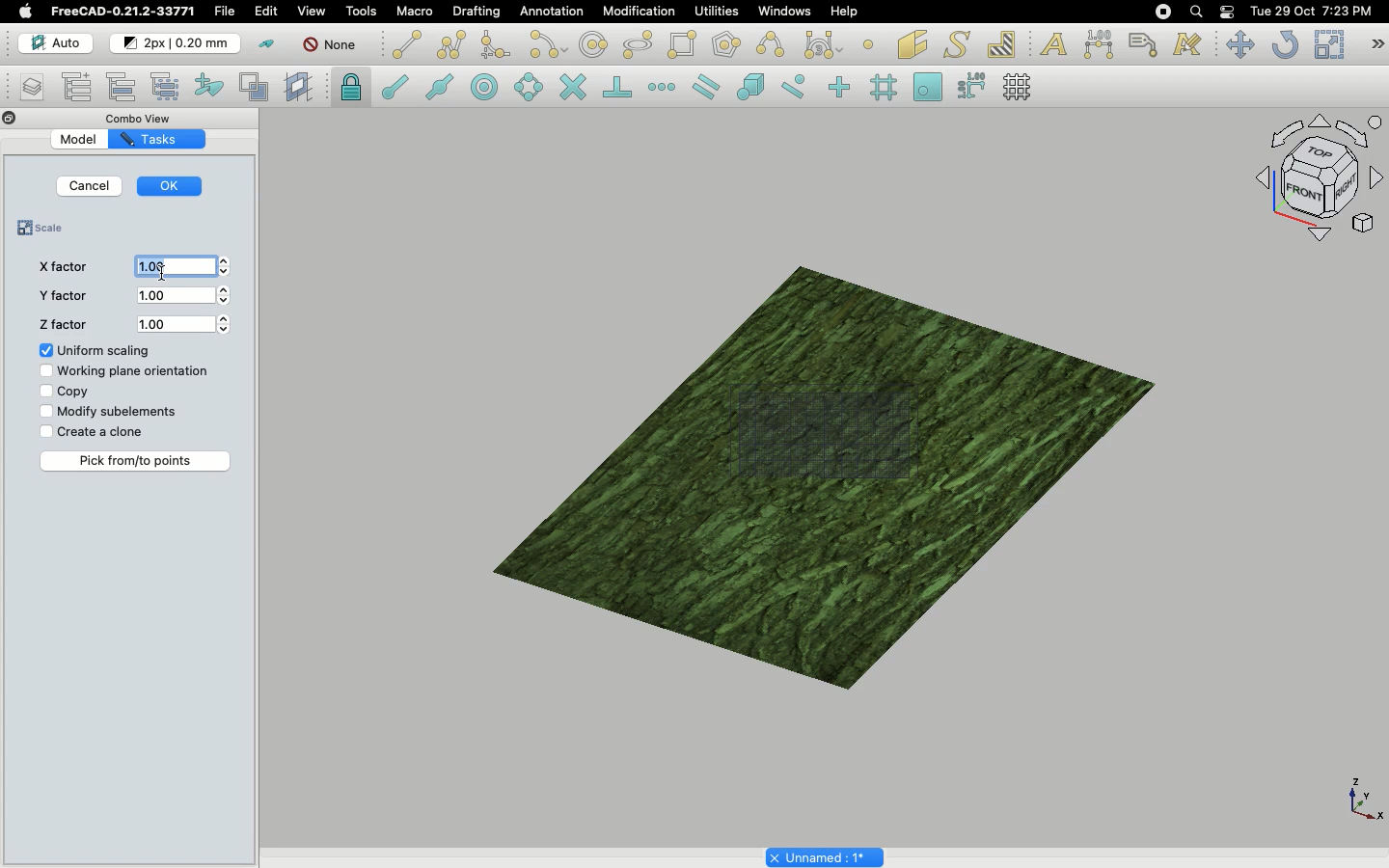 The image size is (1389, 868). I want to click on Snap grid, so click(885, 87).